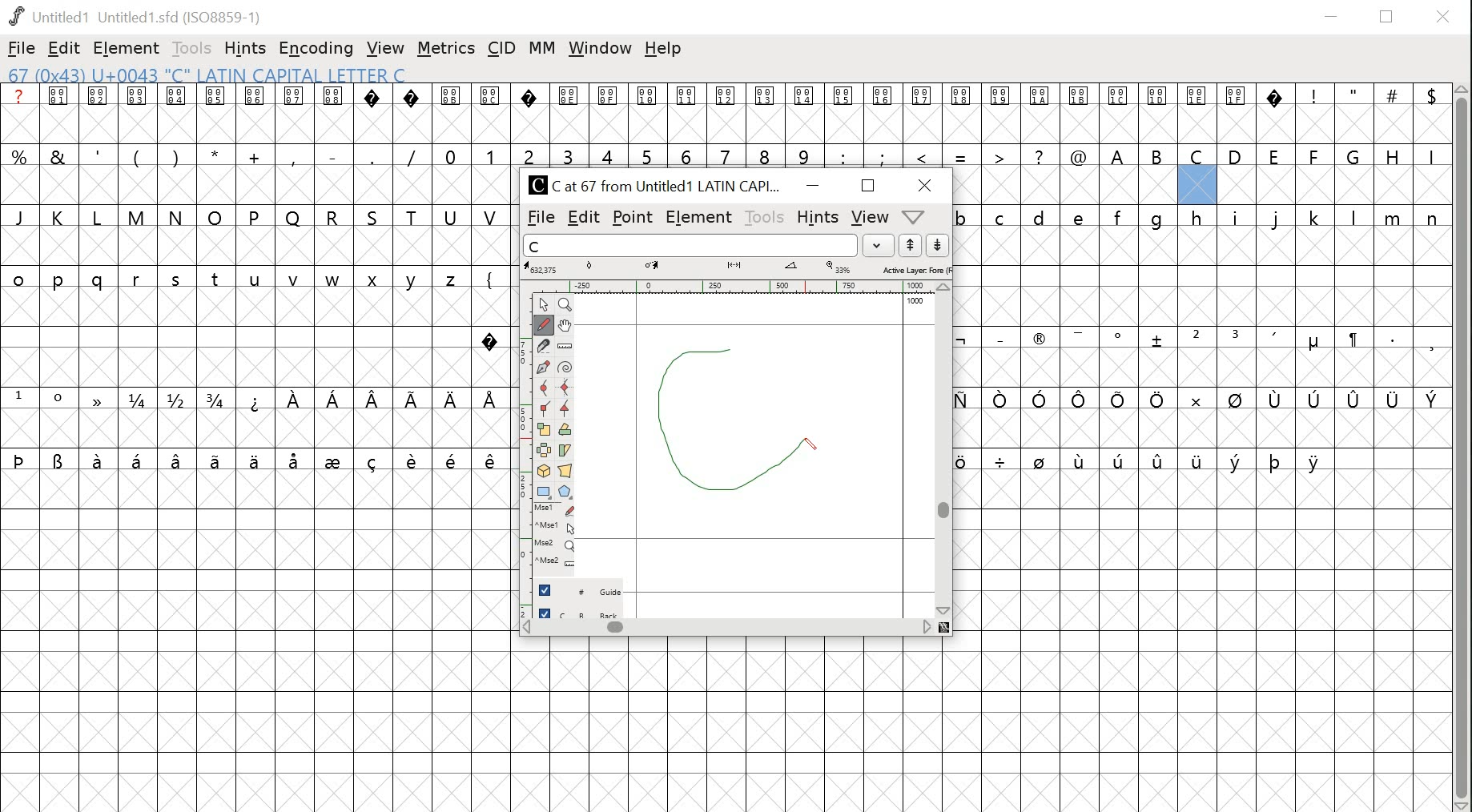 This screenshot has height=812, width=1472. What do you see at coordinates (567, 389) in the screenshot?
I see `HV curve` at bounding box center [567, 389].